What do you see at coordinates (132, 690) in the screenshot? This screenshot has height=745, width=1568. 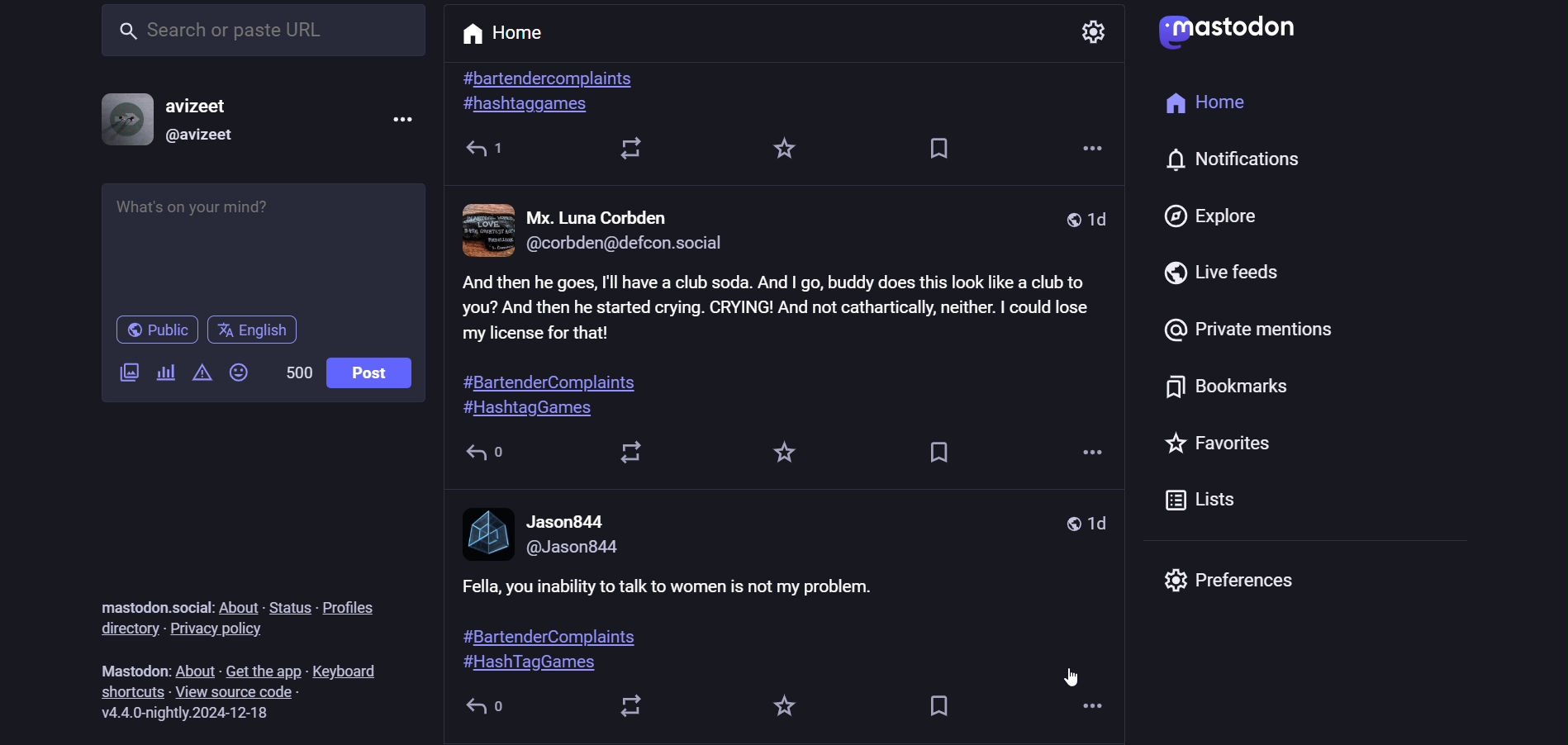 I see `shortcuts` at bounding box center [132, 690].